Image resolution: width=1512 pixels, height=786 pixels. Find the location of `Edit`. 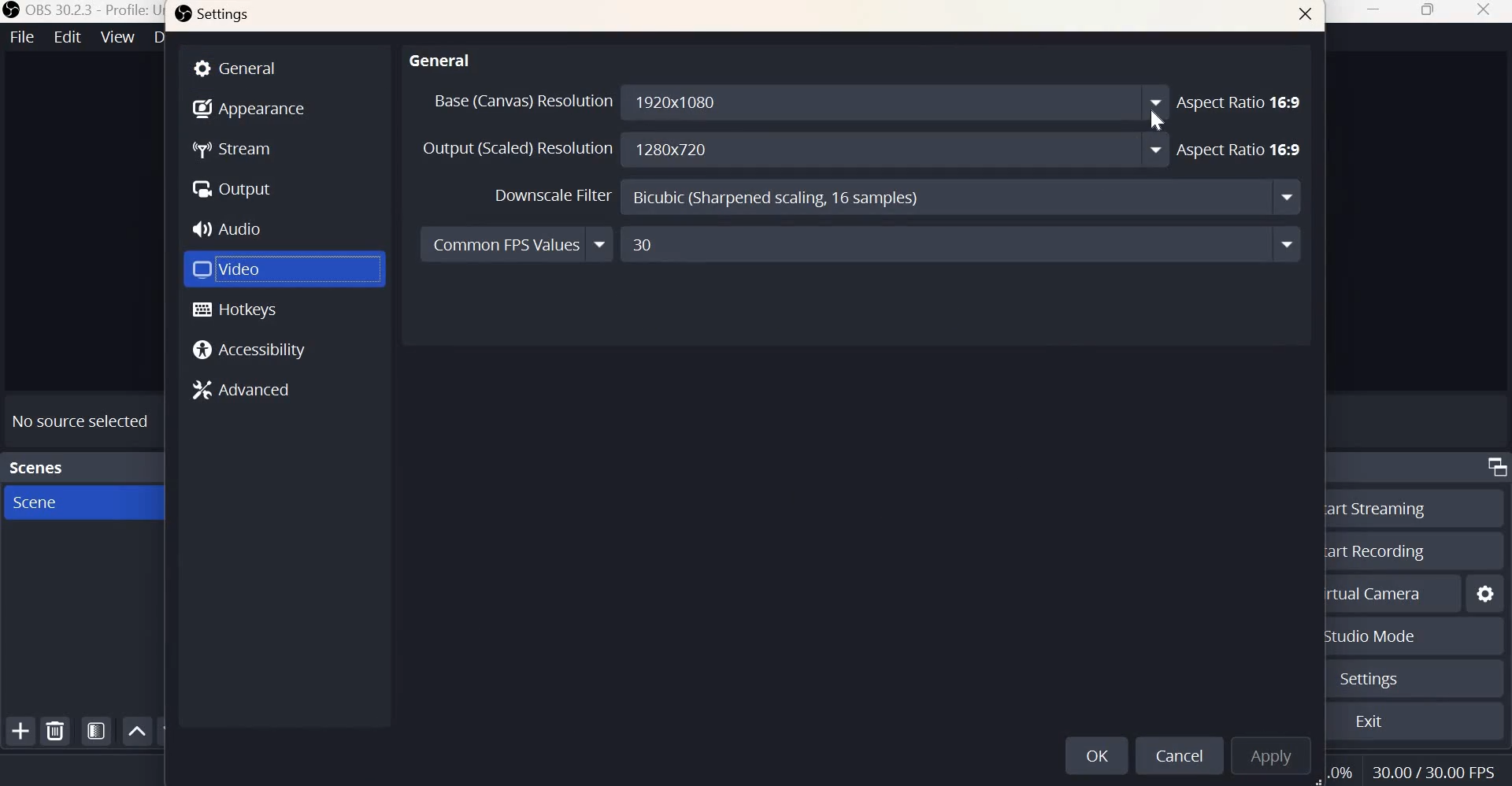

Edit is located at coordinates (65, 37).